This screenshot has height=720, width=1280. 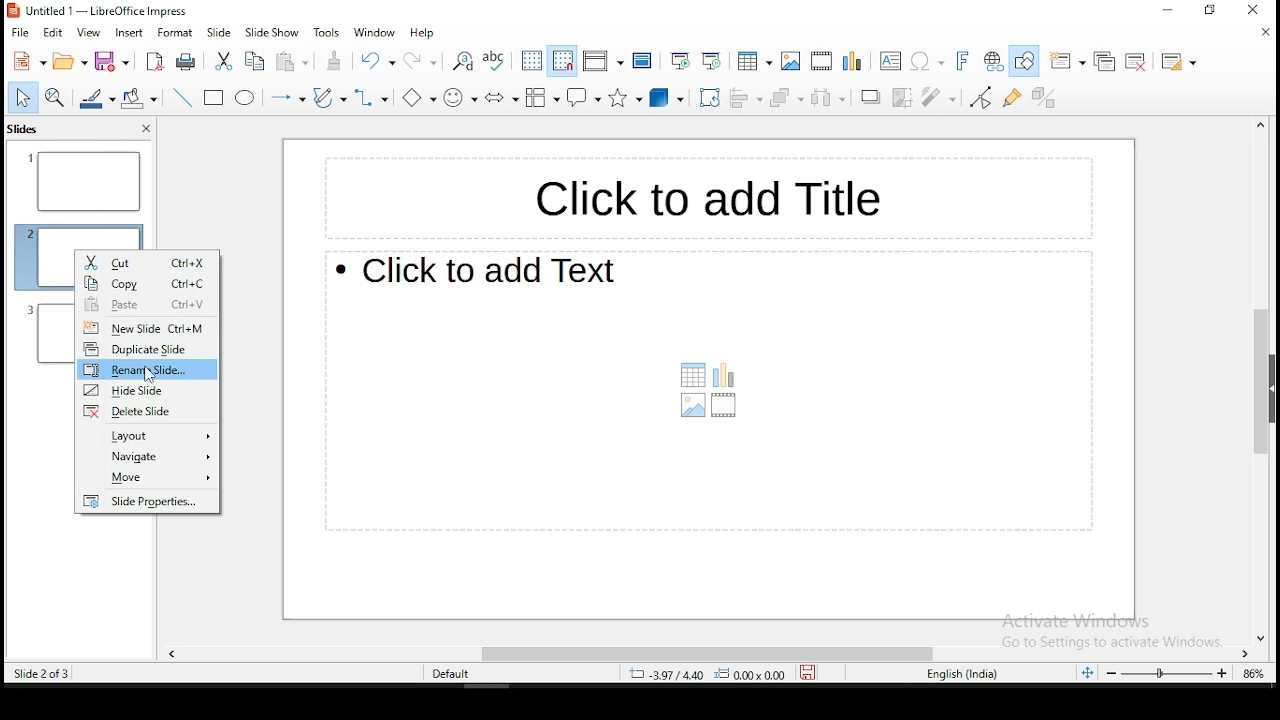 I want to click on window, so click(x=375, y=32).